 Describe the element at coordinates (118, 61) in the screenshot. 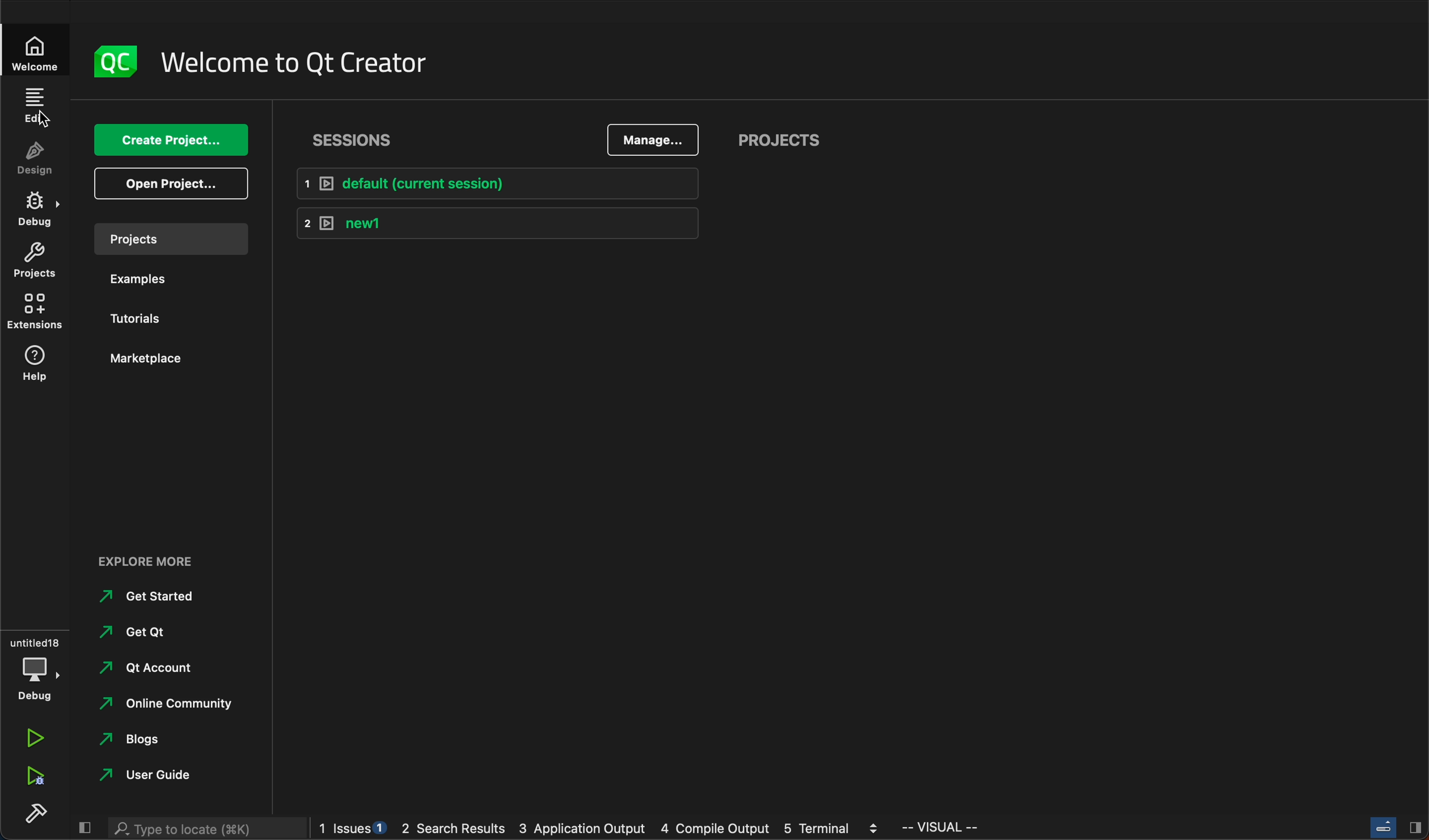

I see `logo` at that location.